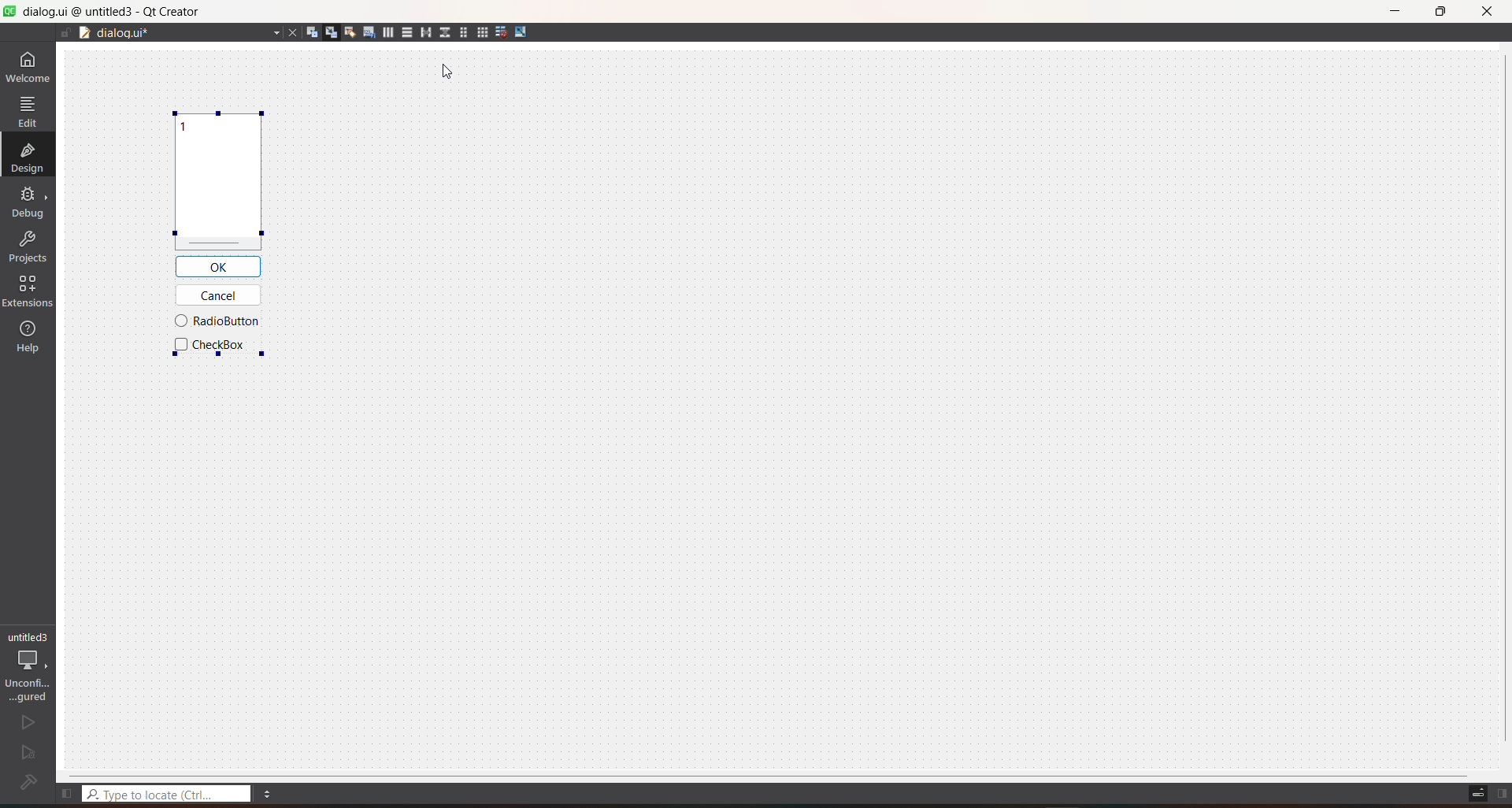 This screenshot has width=1512, height=808. Describe the element at coordinates (311, 32) in the screenshot. I see `edit widgets` at that location.